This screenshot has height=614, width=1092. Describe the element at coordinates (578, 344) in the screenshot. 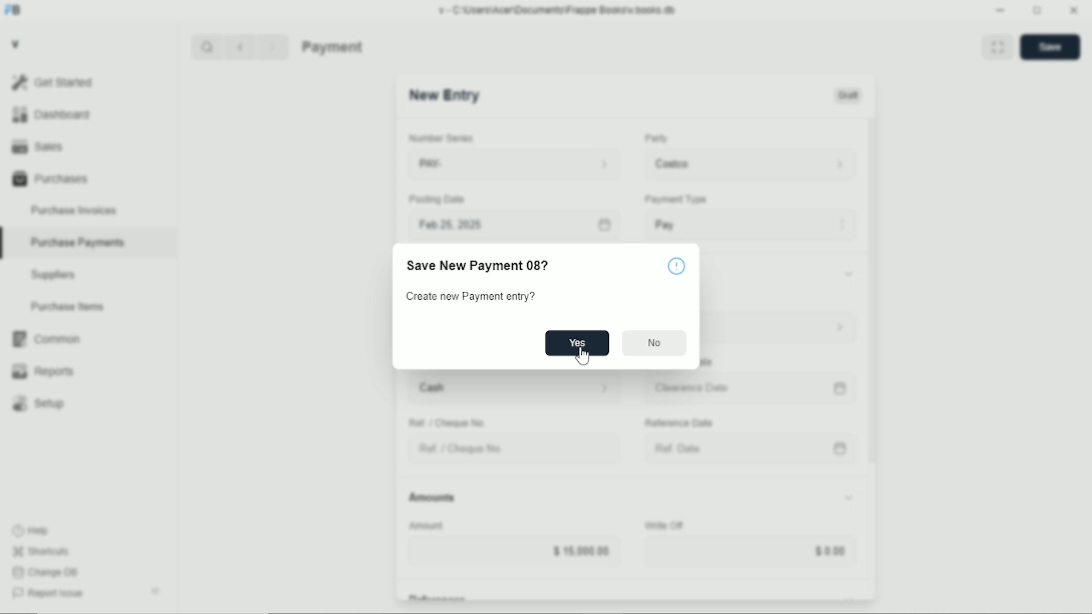

I see `Yes` at that location.